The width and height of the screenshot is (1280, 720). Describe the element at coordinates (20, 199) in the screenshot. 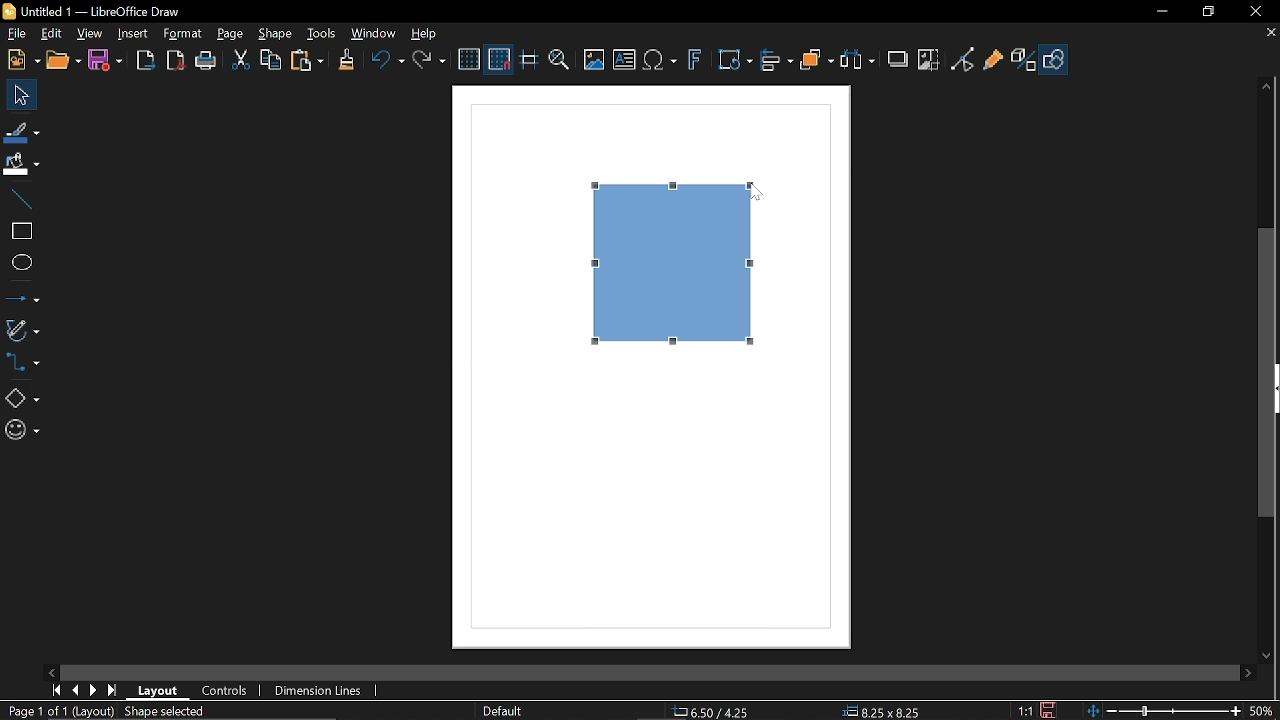

I see `Line` at that location.